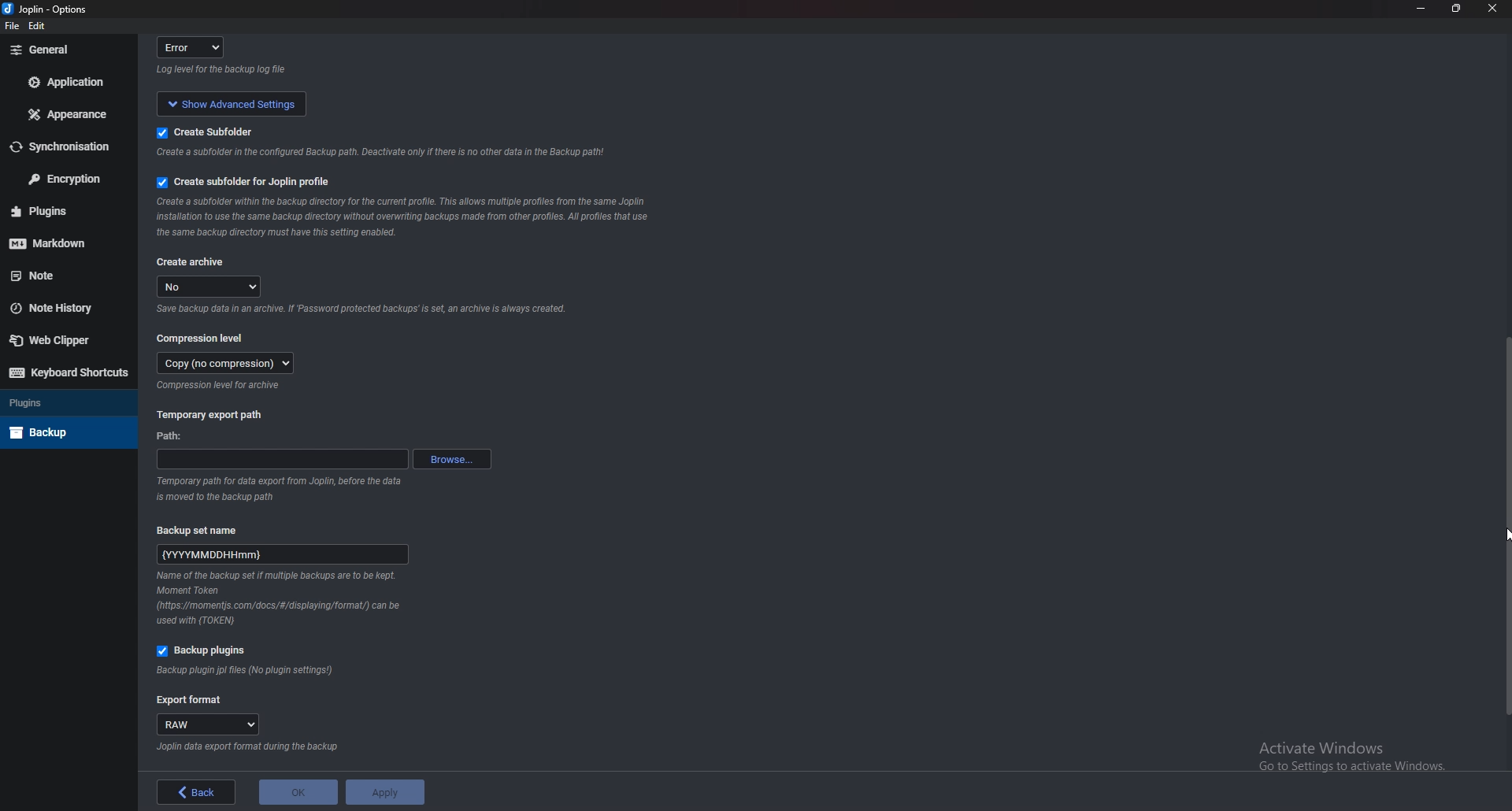 Image resolution: width=1512 pixels, height=811 pixels. I want to click on Joplin - options, so click(48, 10).